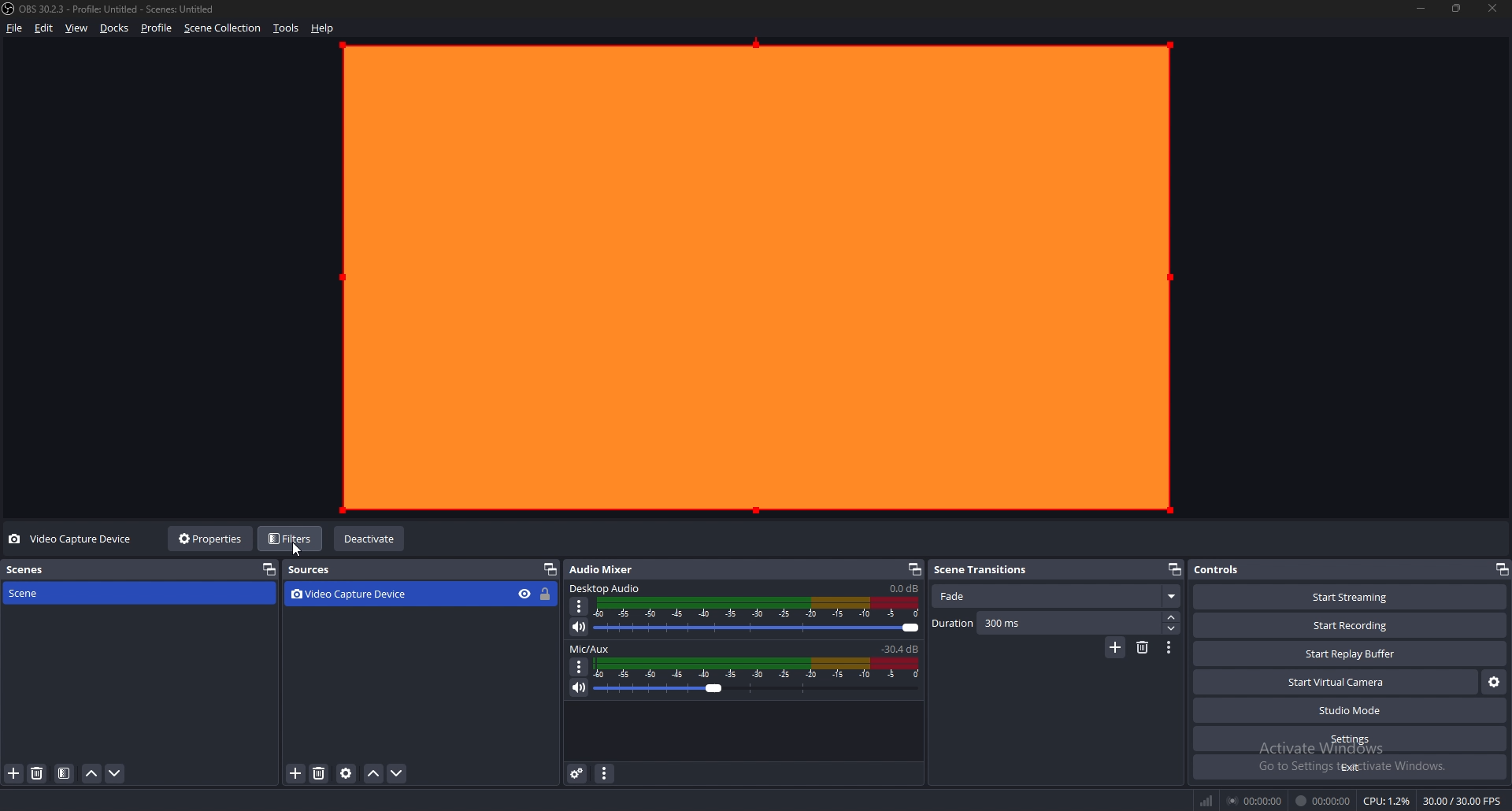 The image size is (1512, 811). I want to click on edit, so click(44, 28).